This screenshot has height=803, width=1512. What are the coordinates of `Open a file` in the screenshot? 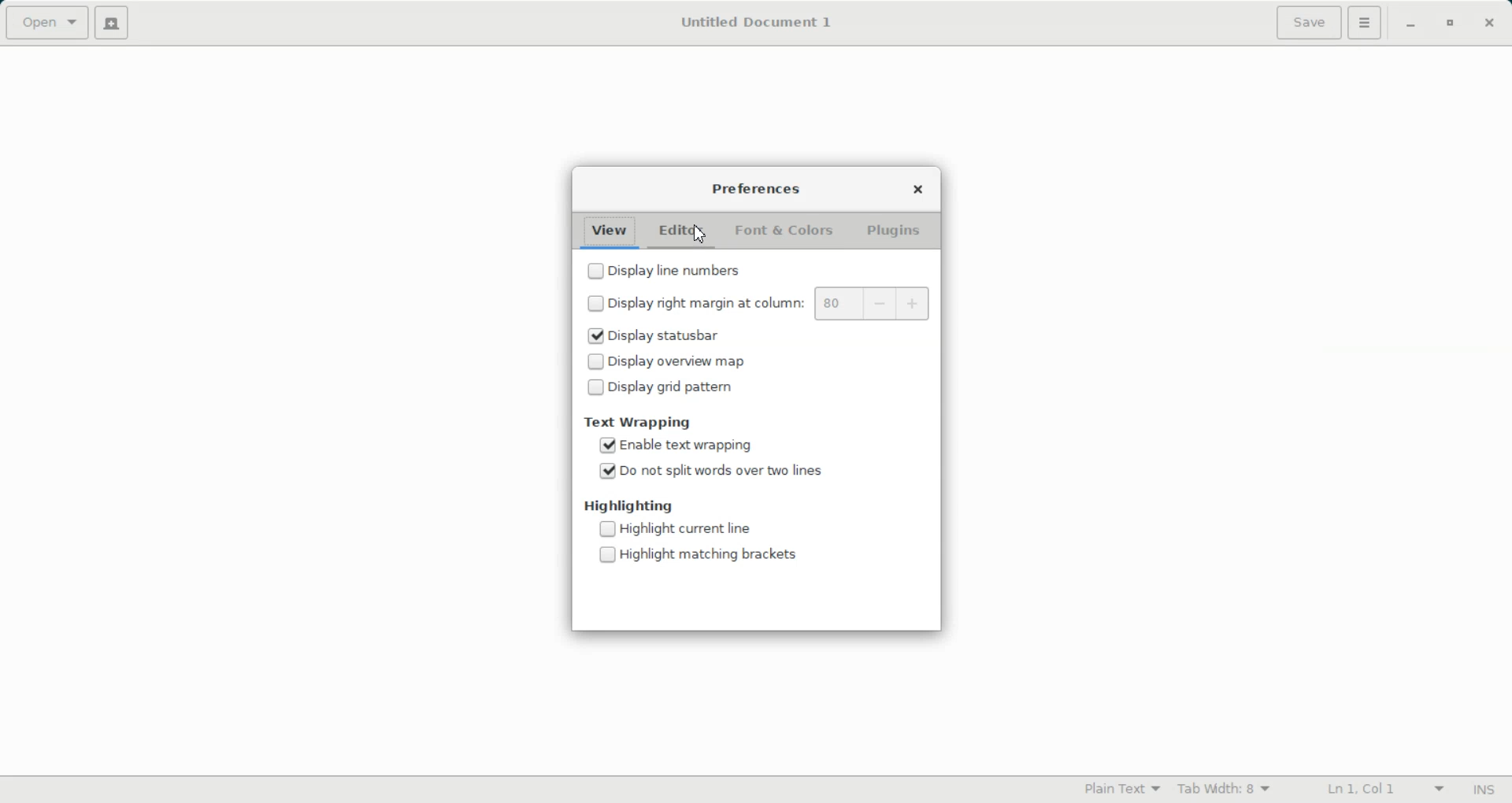 It's located at (47, 23).